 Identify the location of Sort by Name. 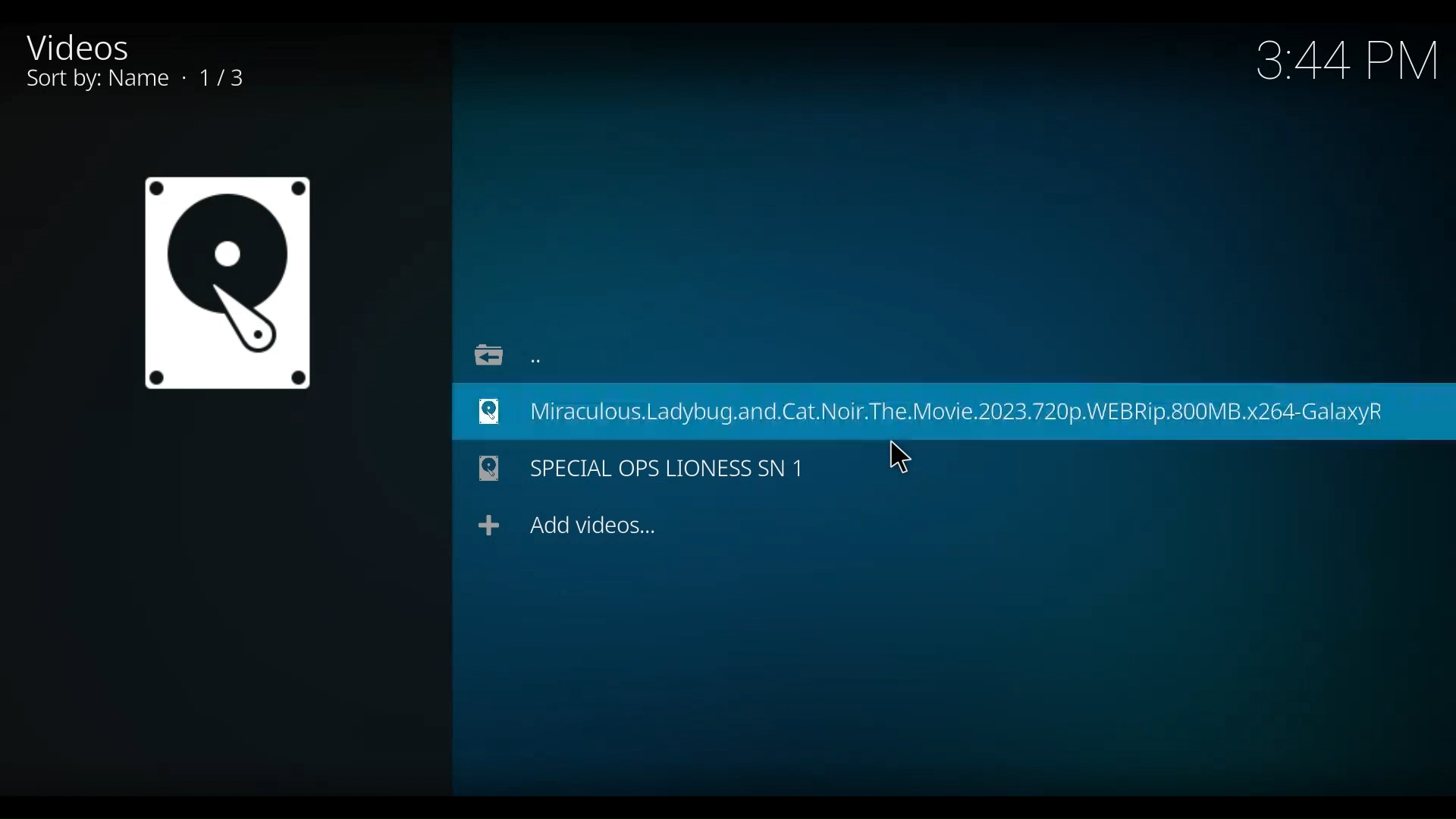
(155, 80).